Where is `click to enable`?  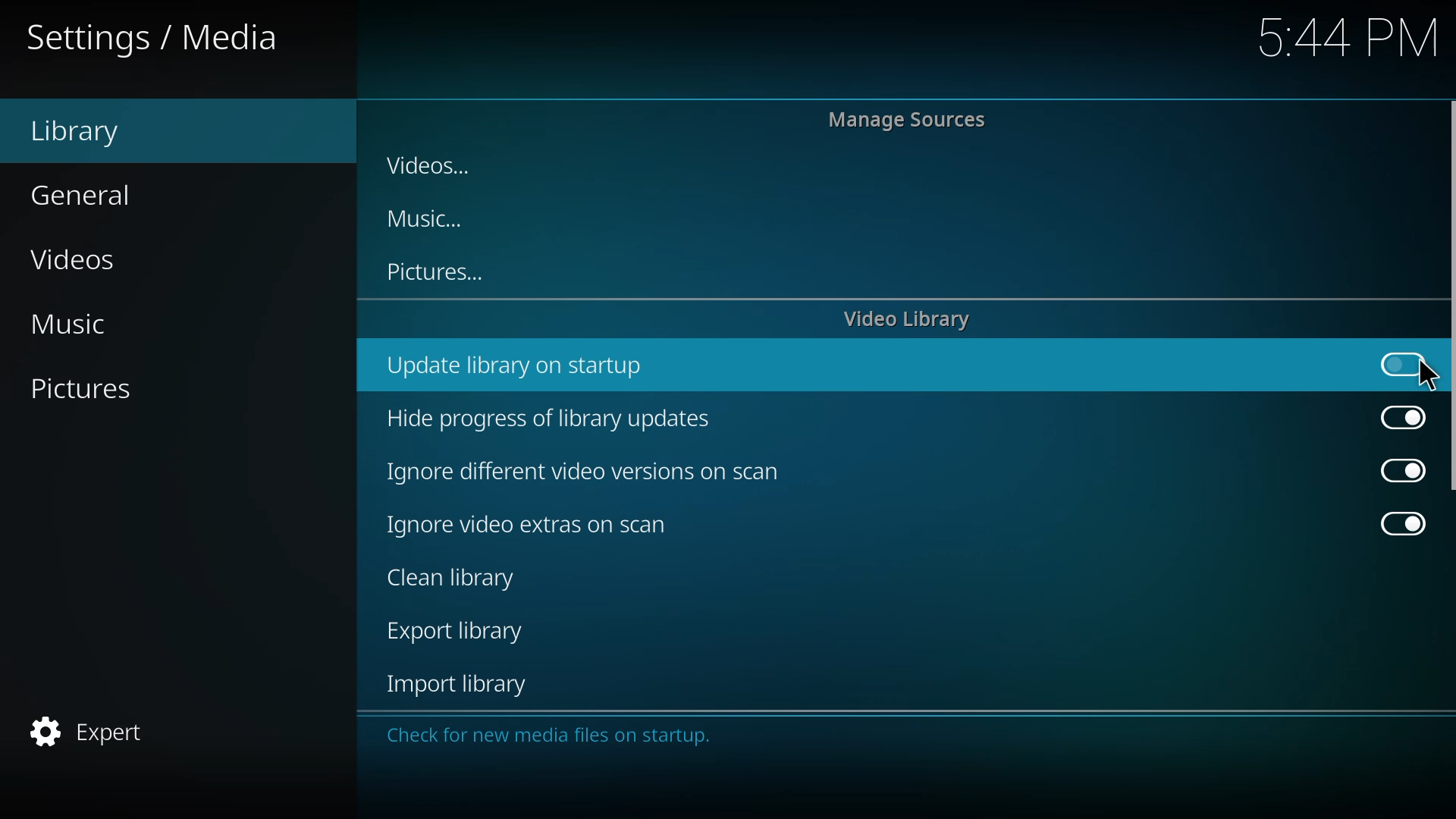
click to enable is located at coordinates (1398, 364).